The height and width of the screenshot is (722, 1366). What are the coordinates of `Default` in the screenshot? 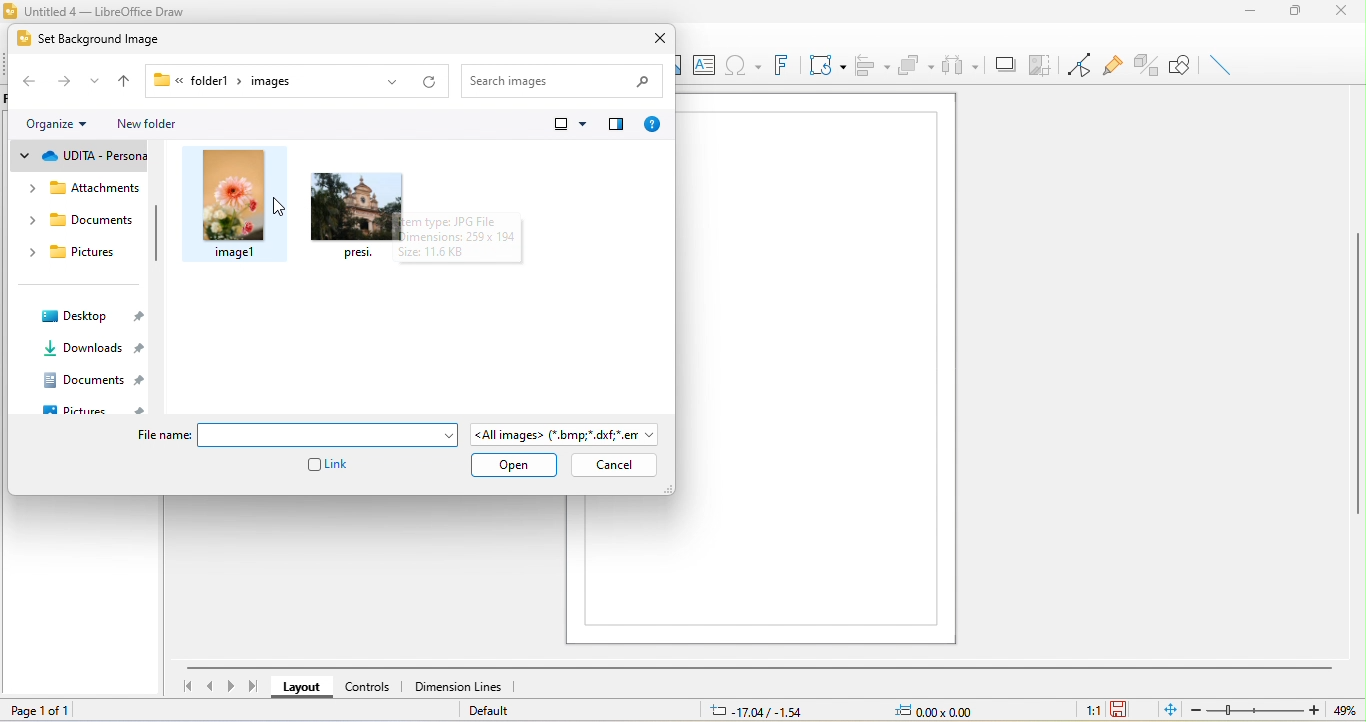 It's located at (496, 711).